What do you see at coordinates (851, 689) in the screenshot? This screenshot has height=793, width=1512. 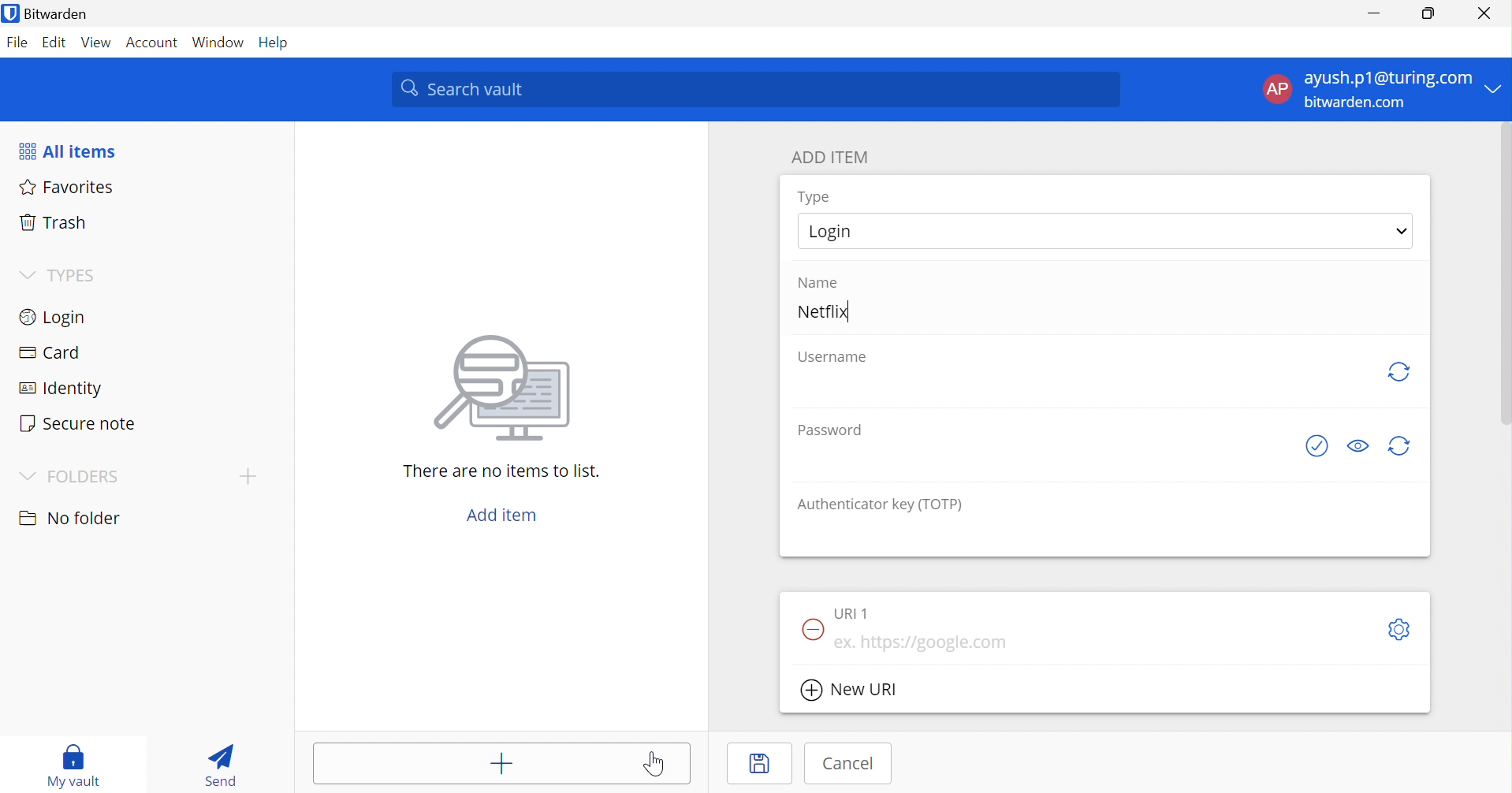 I see `New URl` at bounding box center [851, 689].